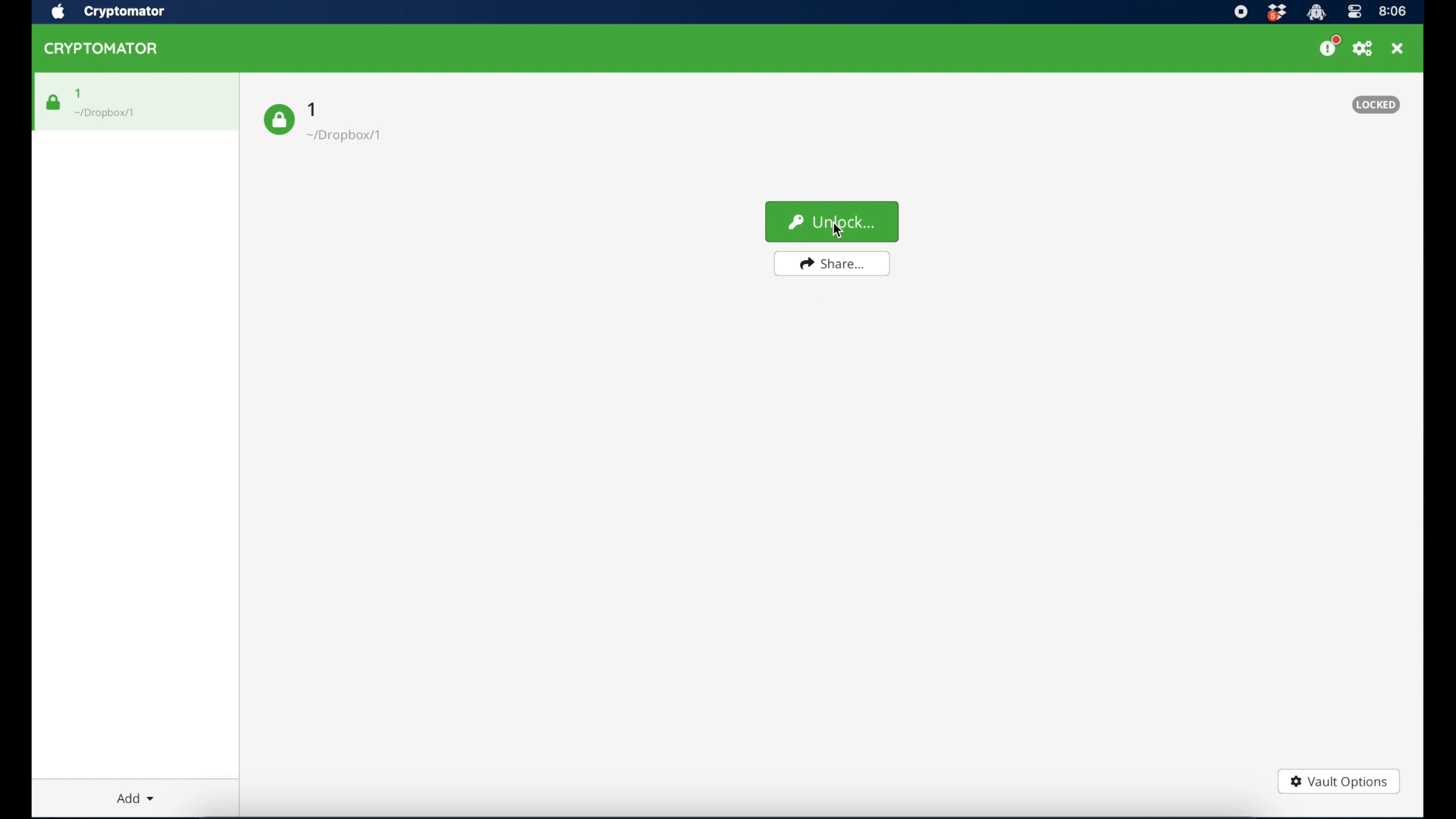 This screenshot has height=819, width=1456. I want to click on add dropdown, so click(136, 798).